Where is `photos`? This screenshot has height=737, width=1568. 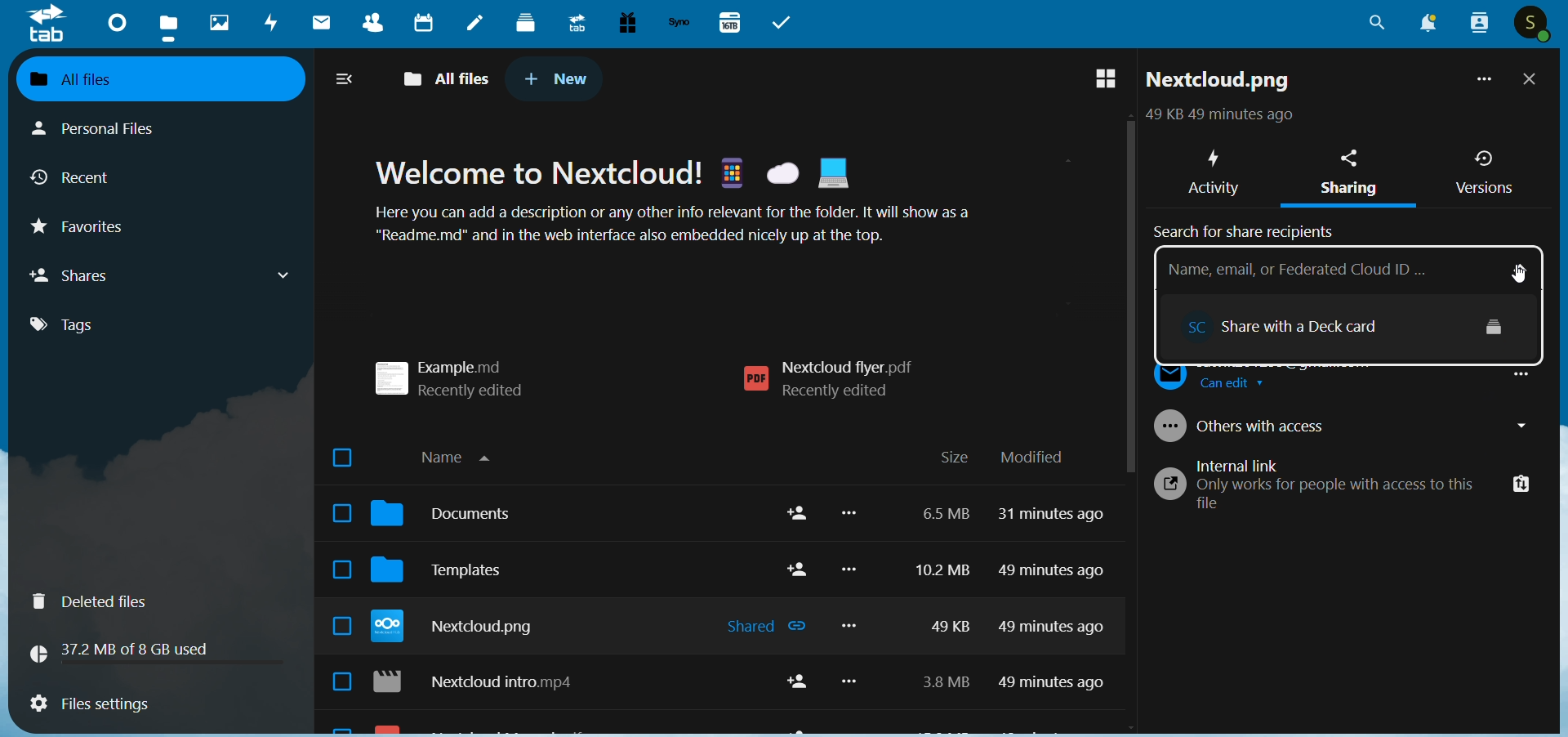
photos is located at coordinates (219, 23).